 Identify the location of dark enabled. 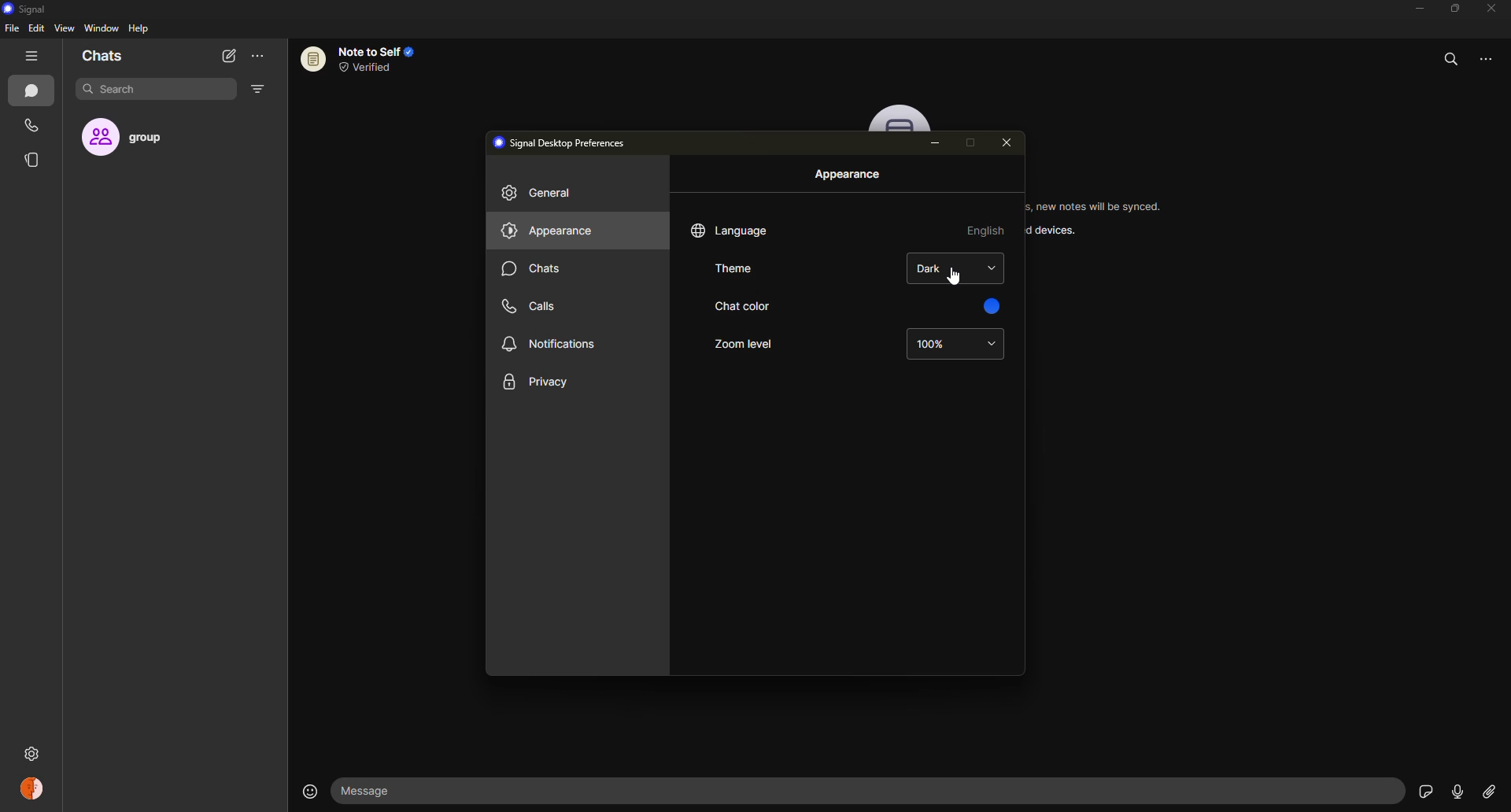
(931, 267).